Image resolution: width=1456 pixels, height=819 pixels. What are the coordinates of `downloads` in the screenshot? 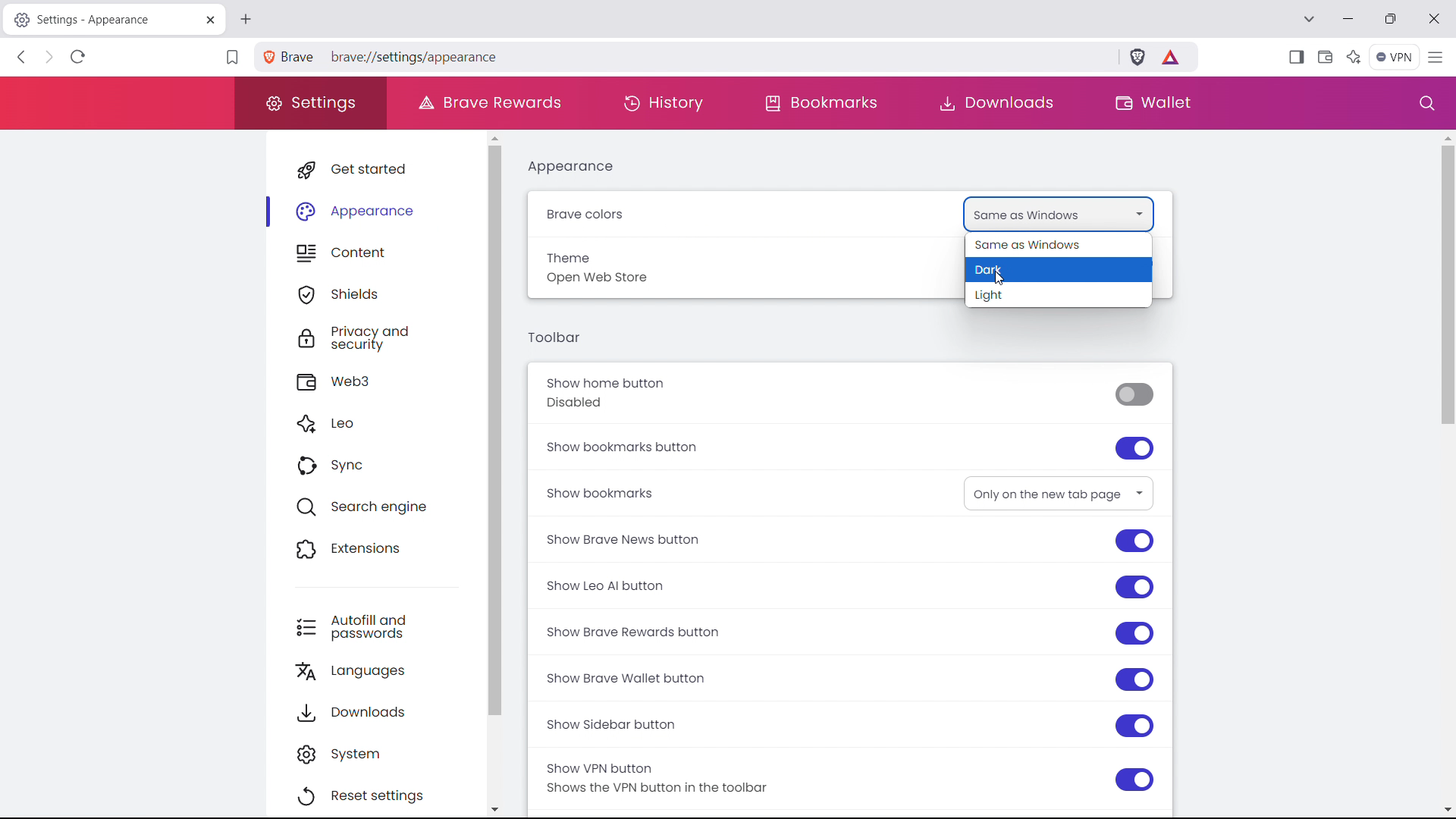 It's located at (995, 104).